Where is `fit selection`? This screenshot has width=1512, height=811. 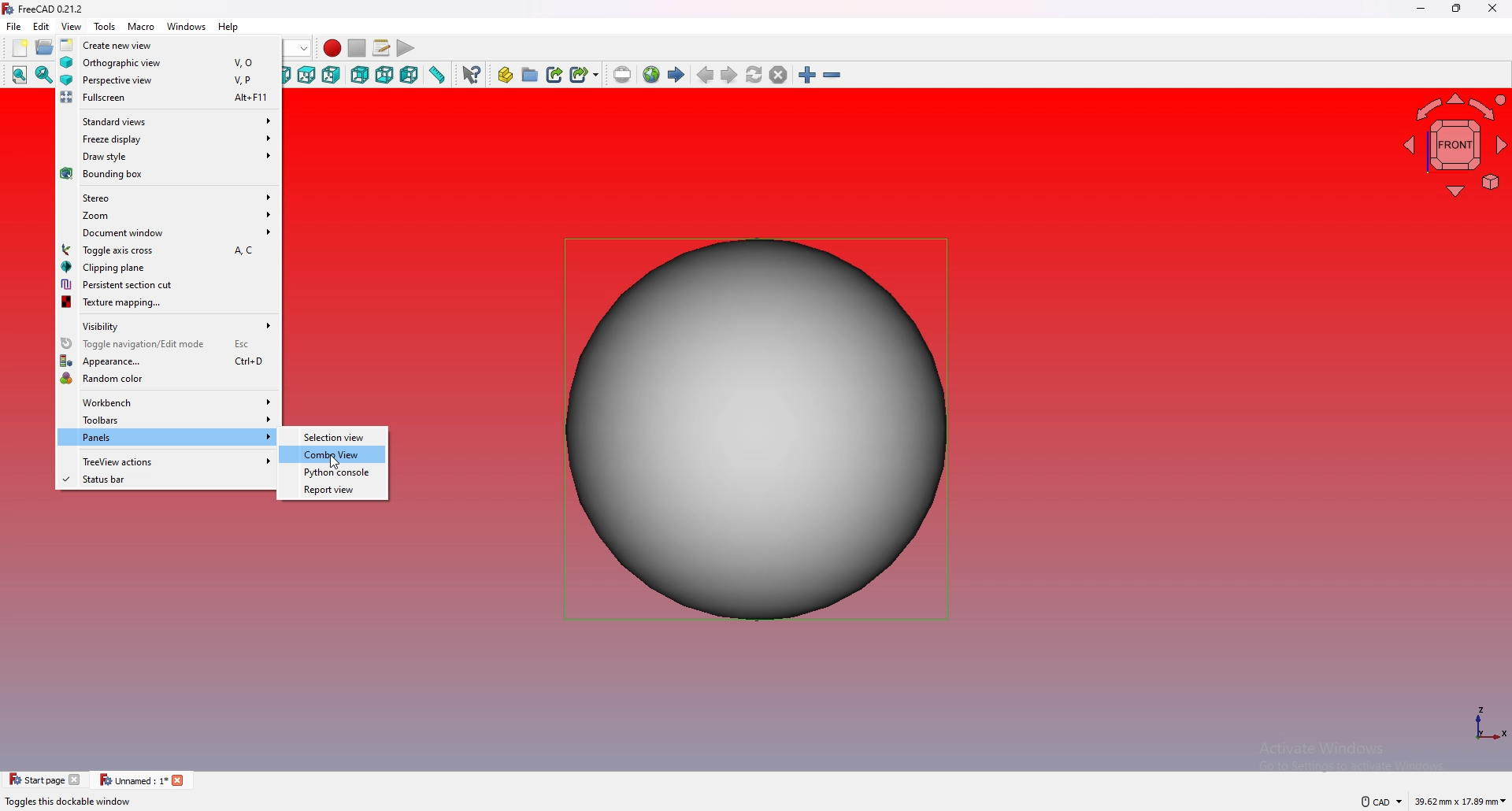
fit selection is located at coordinates (43, 75).